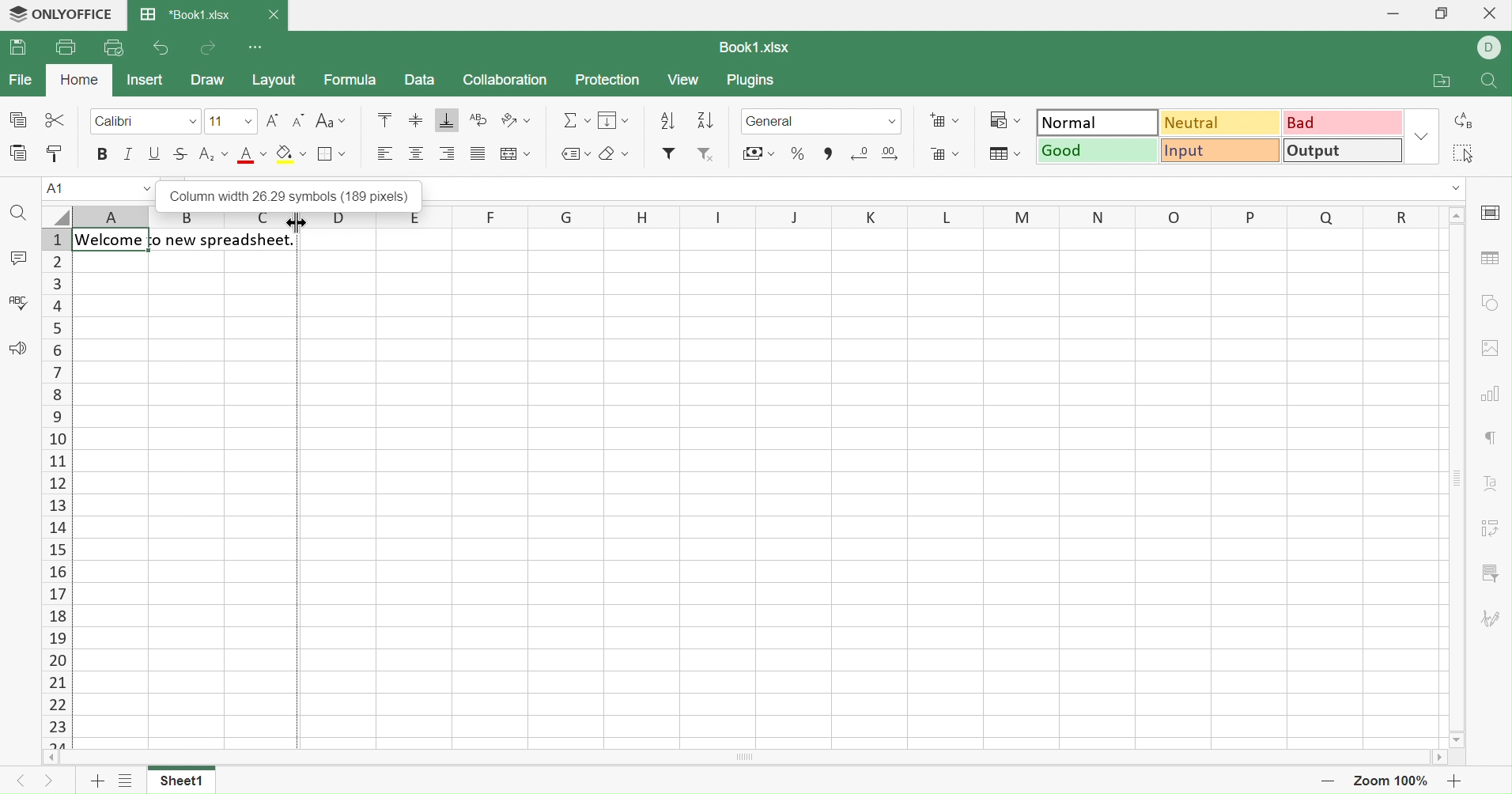 This screenshot has width=1512, height=794. I want to click on Cursor, so click(293, 225).